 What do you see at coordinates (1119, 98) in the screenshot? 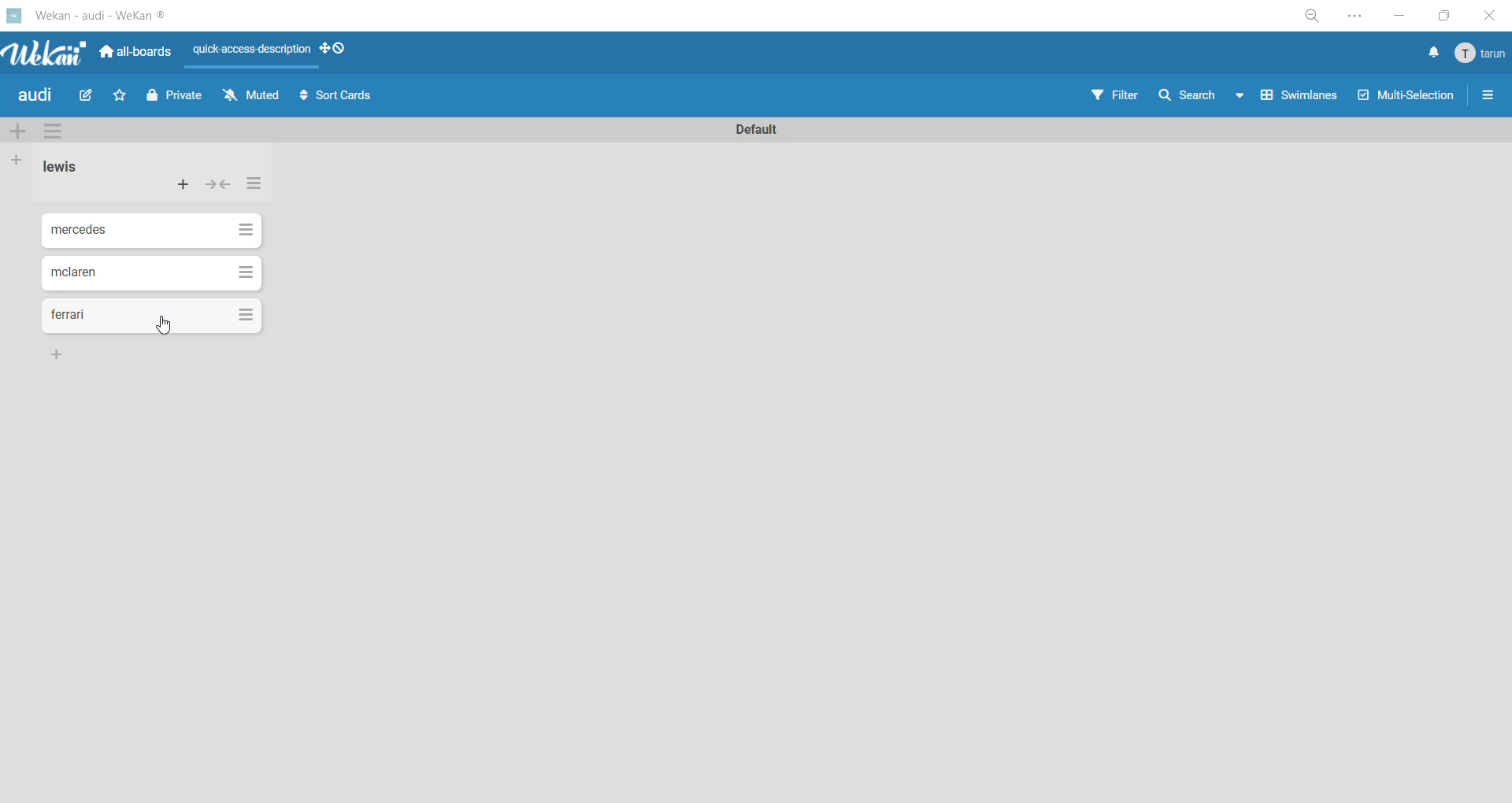
I see `filter` at bounding box center [1119, 98].